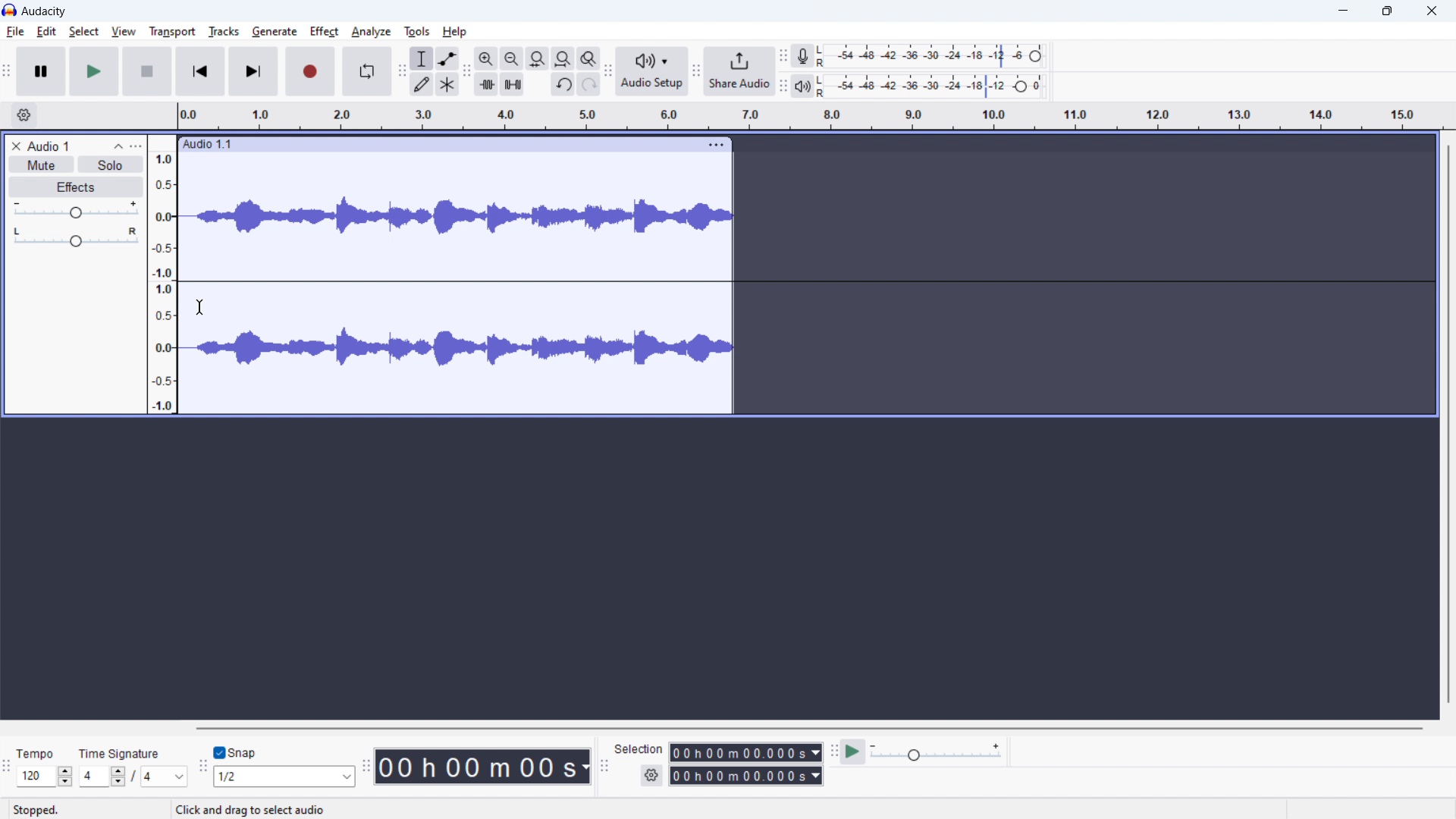  I want to click on increase beats per measure, so click(118, 770).